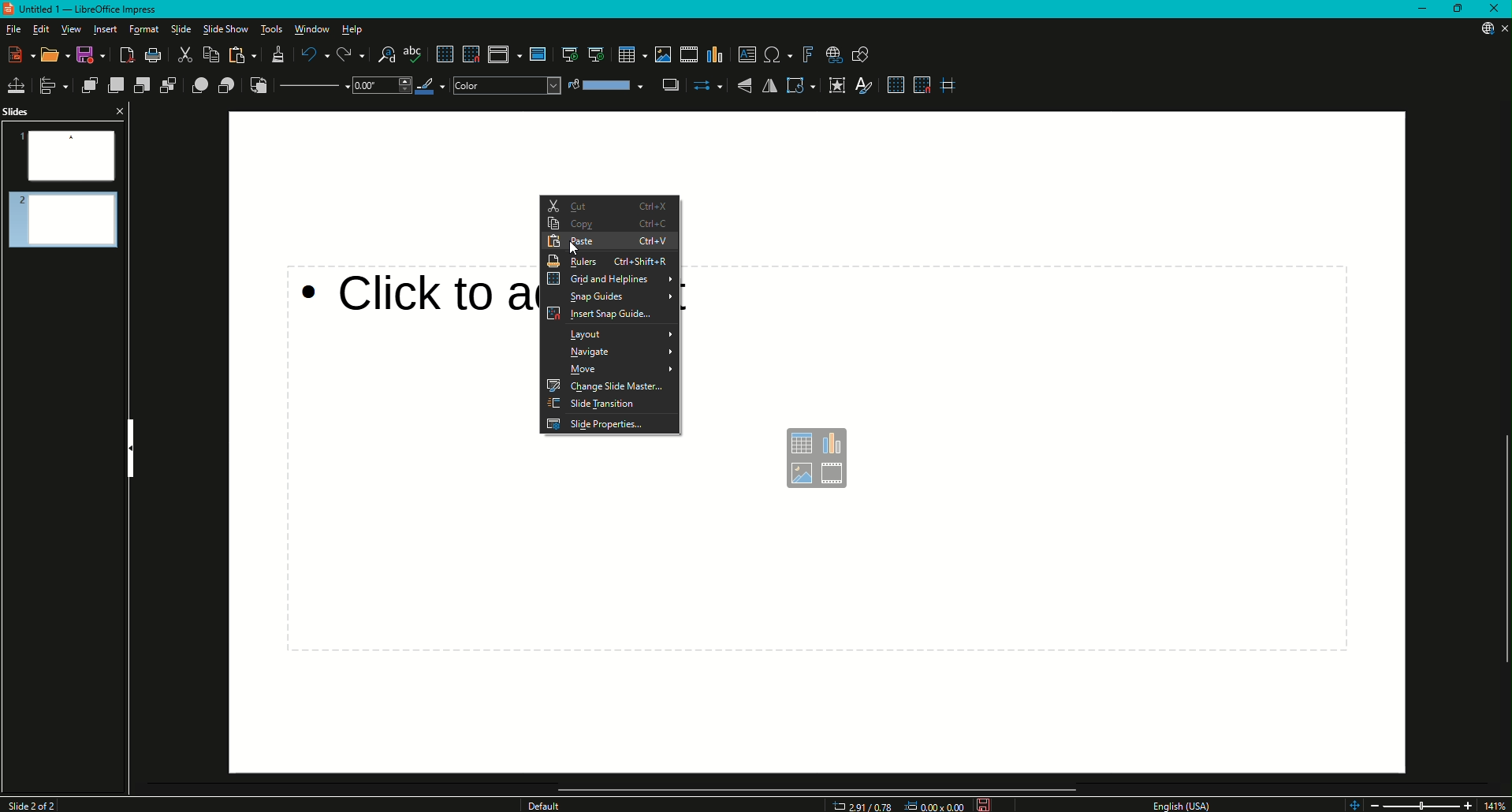 The height and width of the screenshot is (812, 1512). I want to click on Text box options, so click(814, 458).